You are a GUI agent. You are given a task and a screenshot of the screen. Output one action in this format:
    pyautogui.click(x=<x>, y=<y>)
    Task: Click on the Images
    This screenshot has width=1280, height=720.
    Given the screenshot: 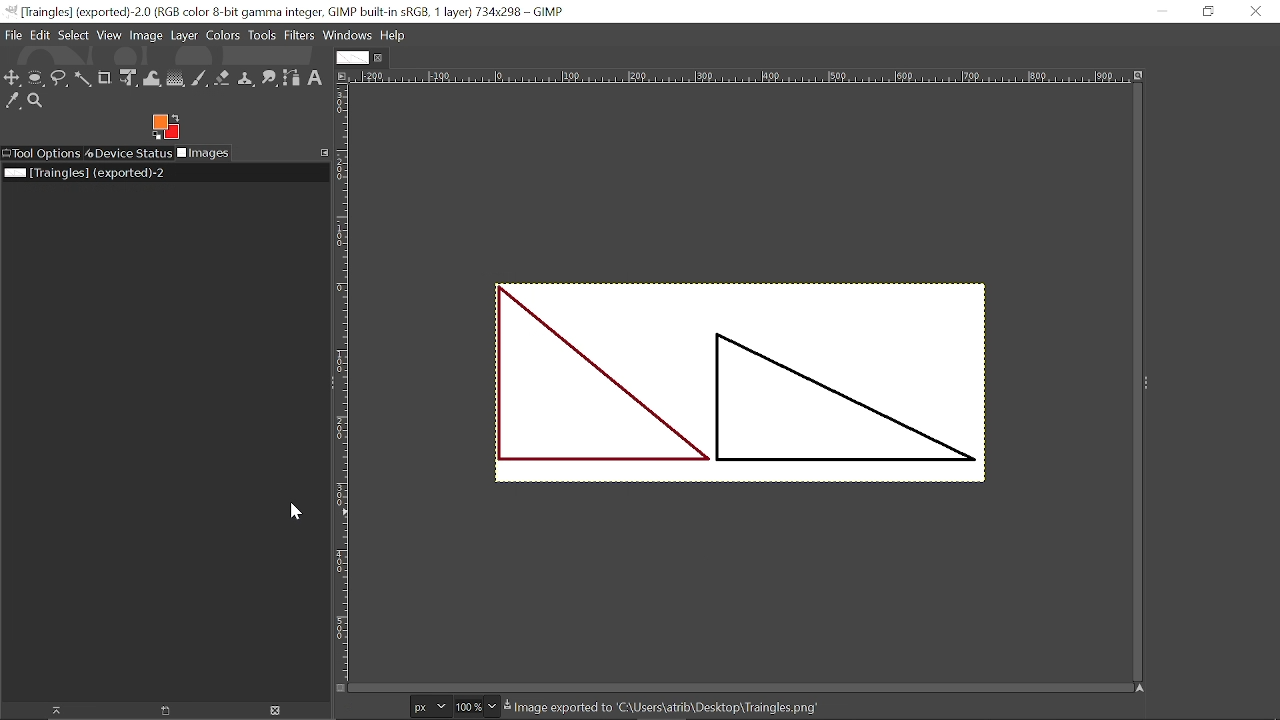 What is the action you would take?
    pyautogui.click(x=202, y=153)
    